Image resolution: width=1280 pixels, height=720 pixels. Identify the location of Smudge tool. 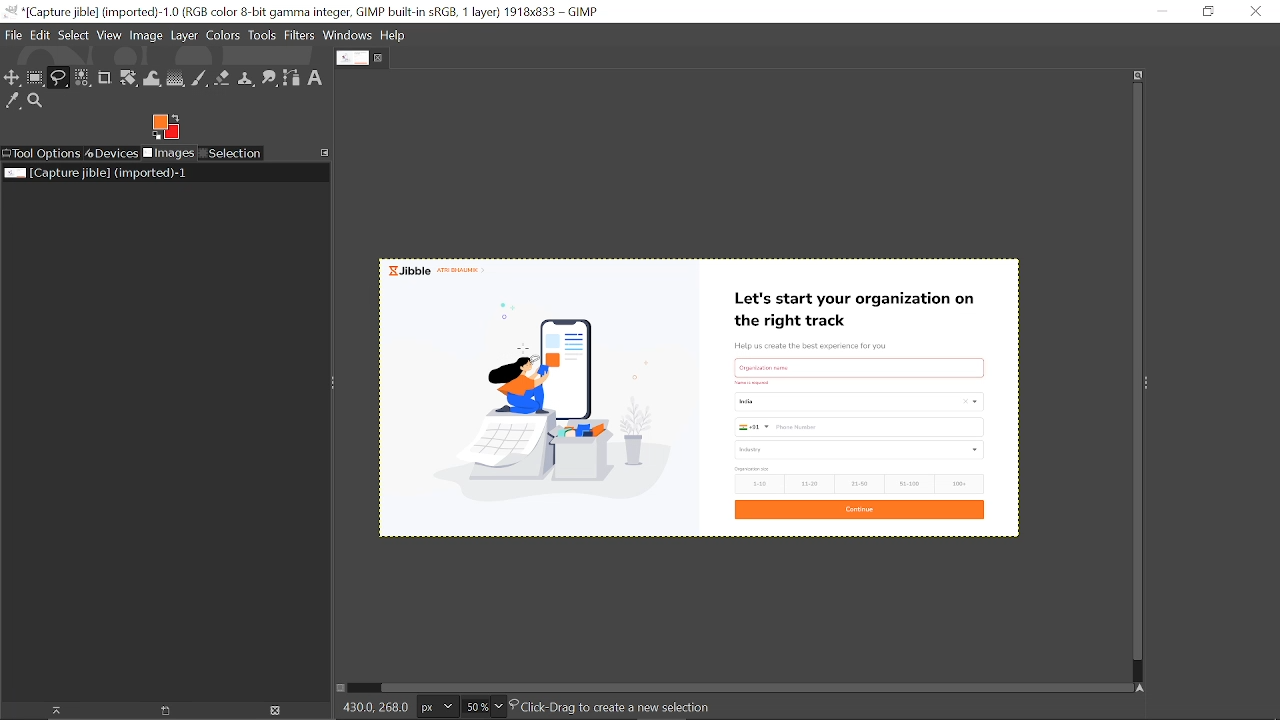
(270, 79).